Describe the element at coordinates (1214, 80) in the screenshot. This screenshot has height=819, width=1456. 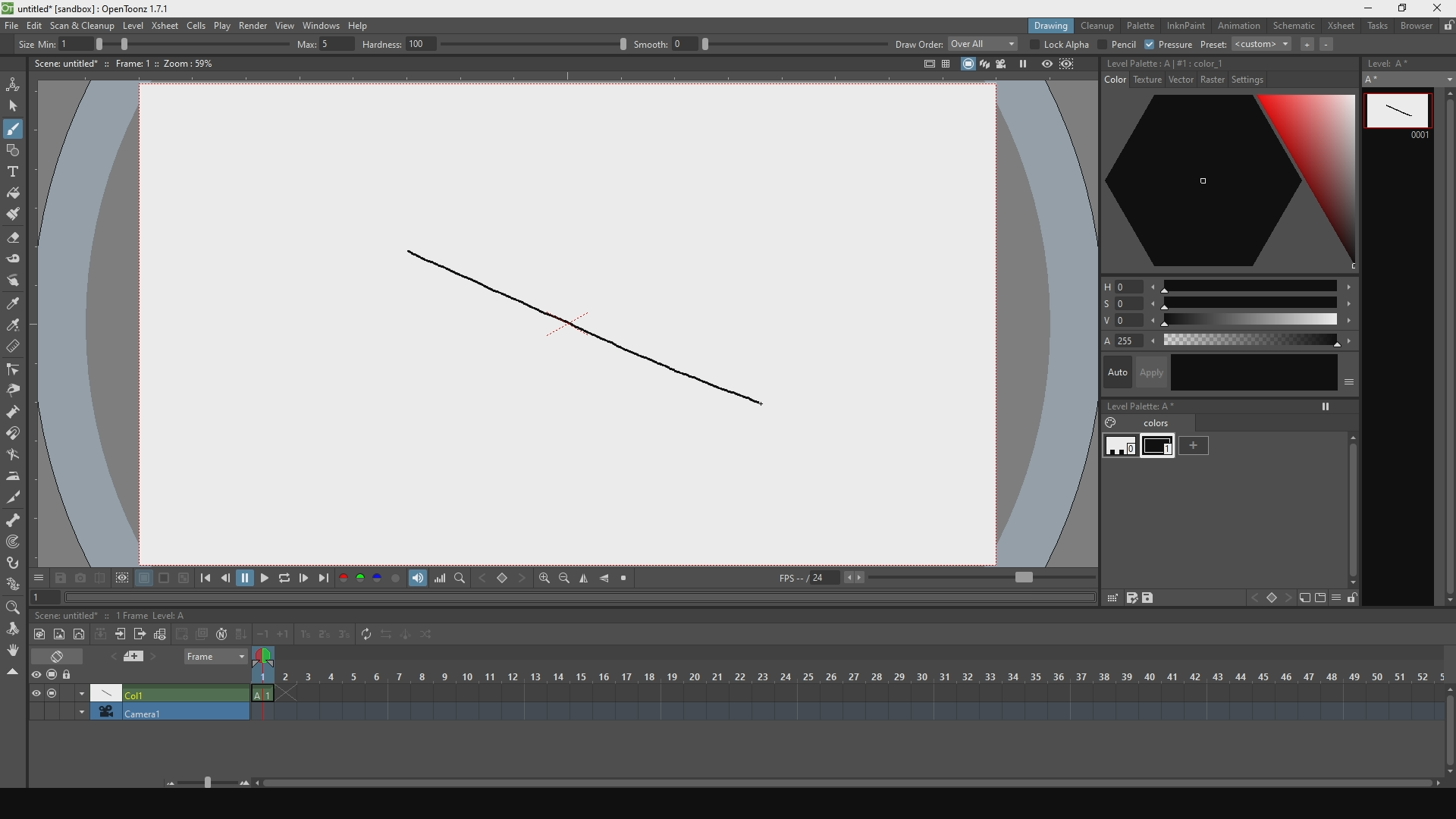
I see `raster` at that location.